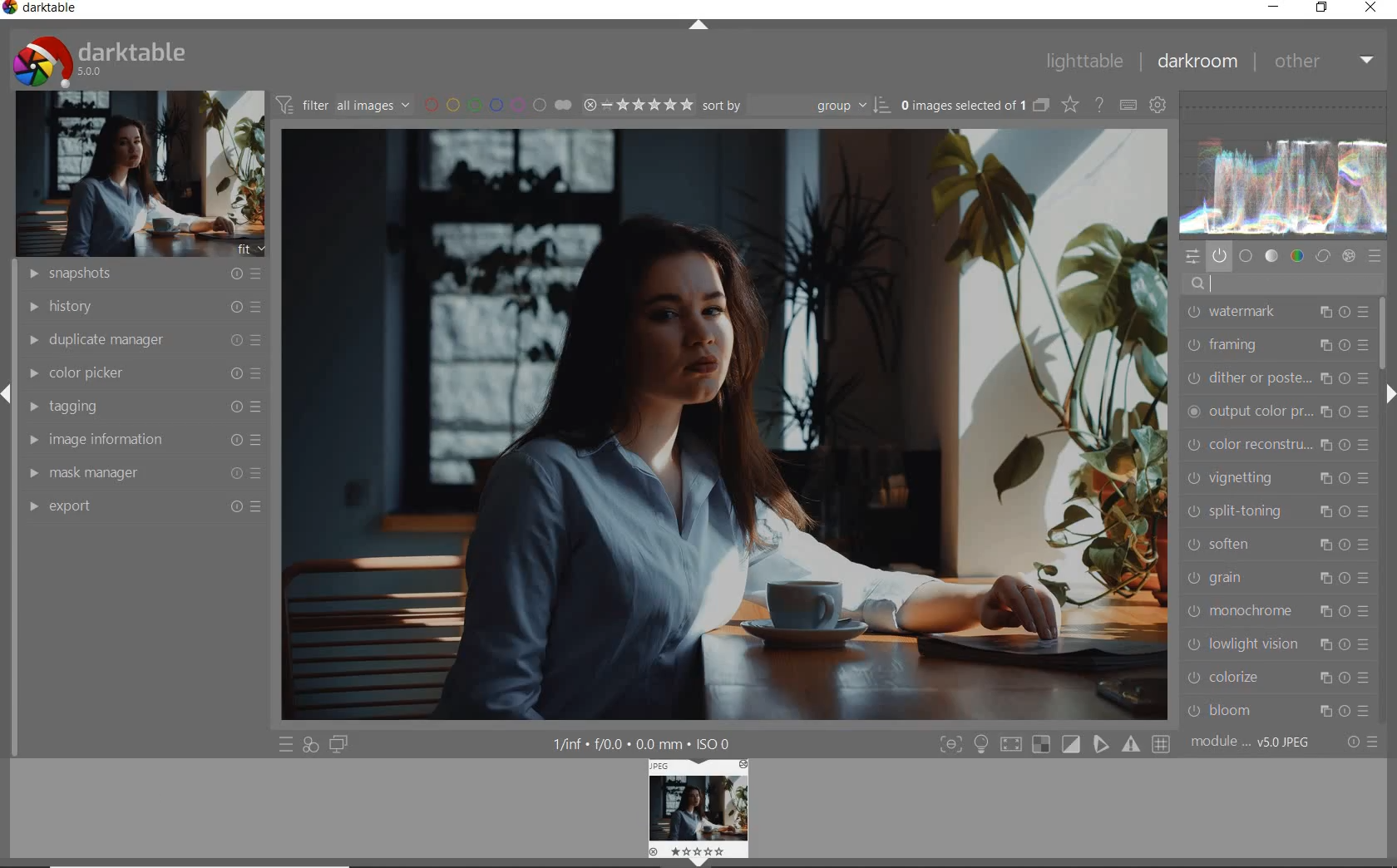  What do you see at coordinates (286, 744) in the screenshot?
I see `quick access to presets` at bounding box center [286, 744].